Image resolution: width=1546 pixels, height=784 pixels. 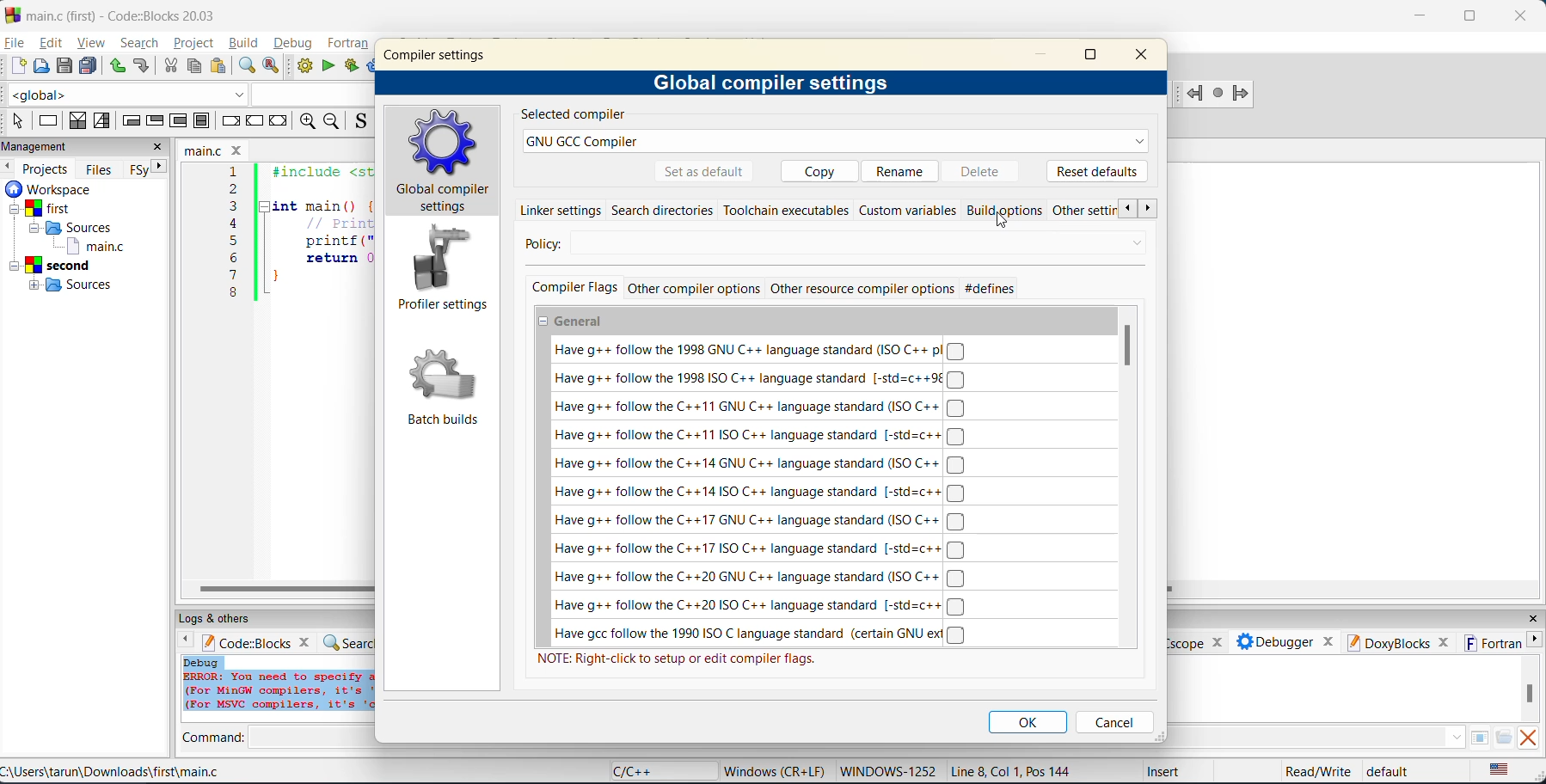 What do you see at coordinates (305, 67) in the screenshot?
I see `build` at bounding box center [305, 67].